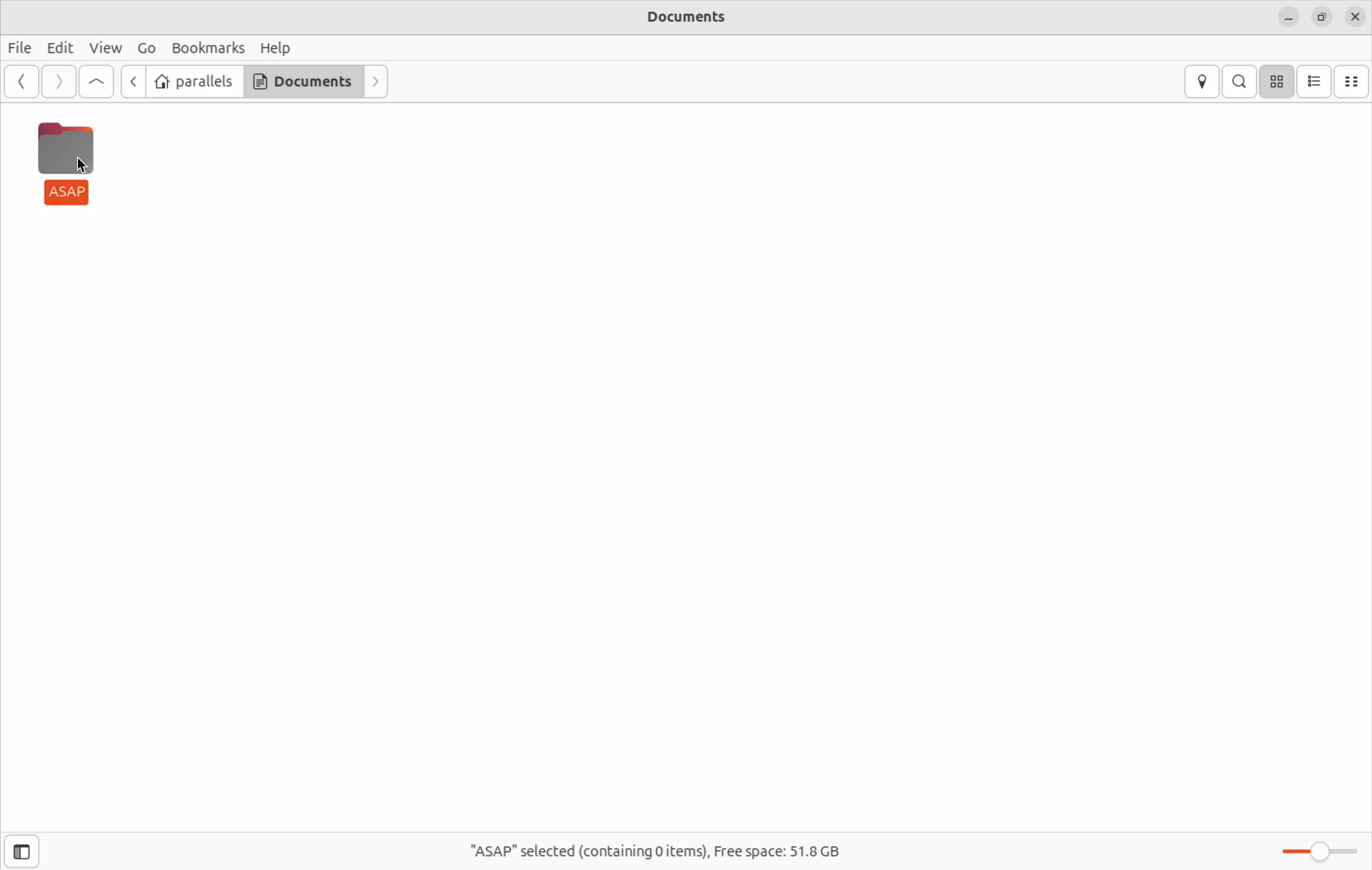 The width and height of the screenshot is (1372, 870). What do you see at coordinates (208, 47) in the screenshot?
I see `Bookmarks` at bounding box center [208, 47].